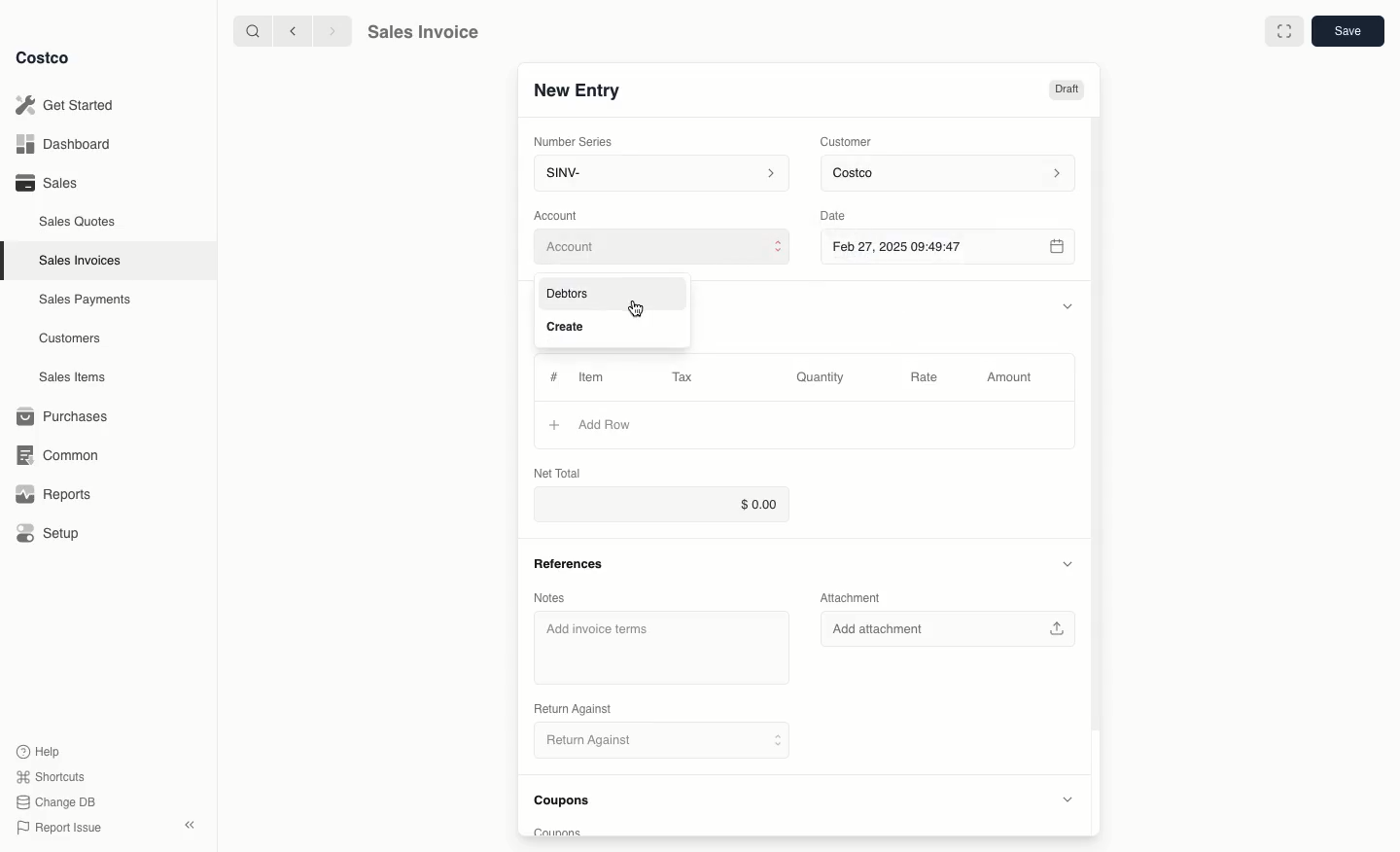 This screenshot has width=1400, height=852. I want to click on Net Total, so click(558, 473).